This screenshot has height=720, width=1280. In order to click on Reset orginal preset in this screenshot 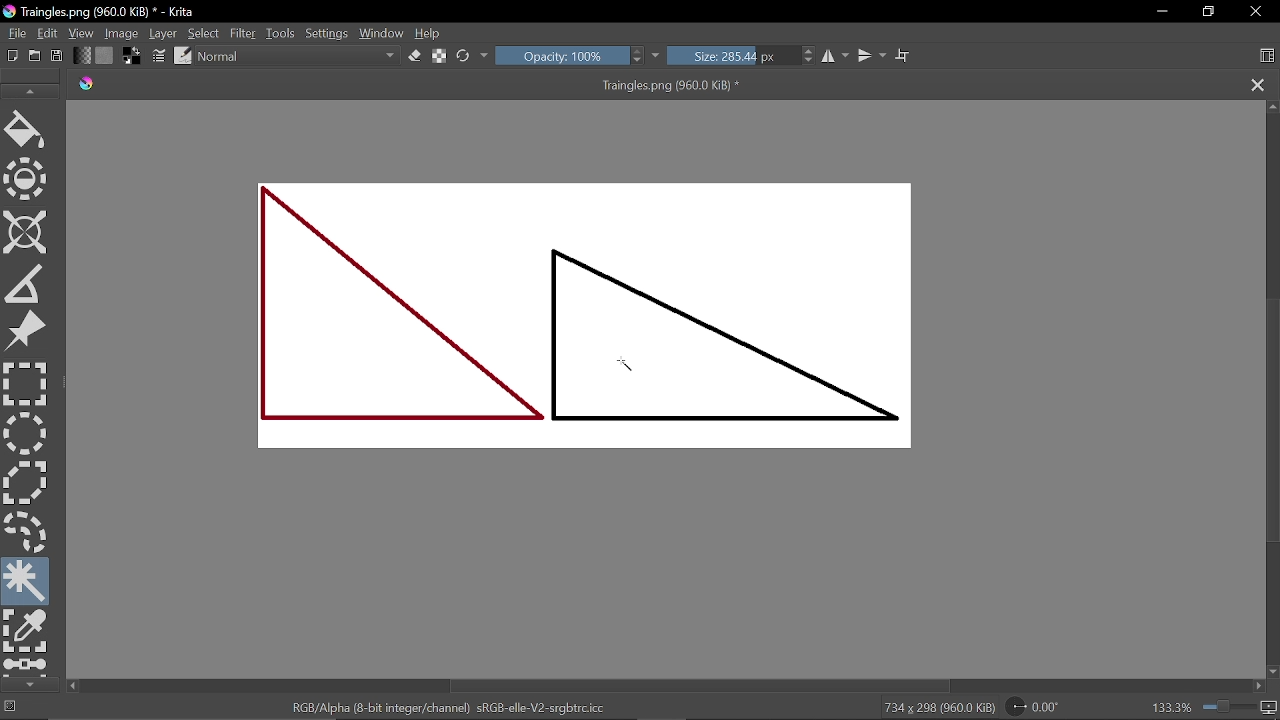, I will do `click(464, 55)`.